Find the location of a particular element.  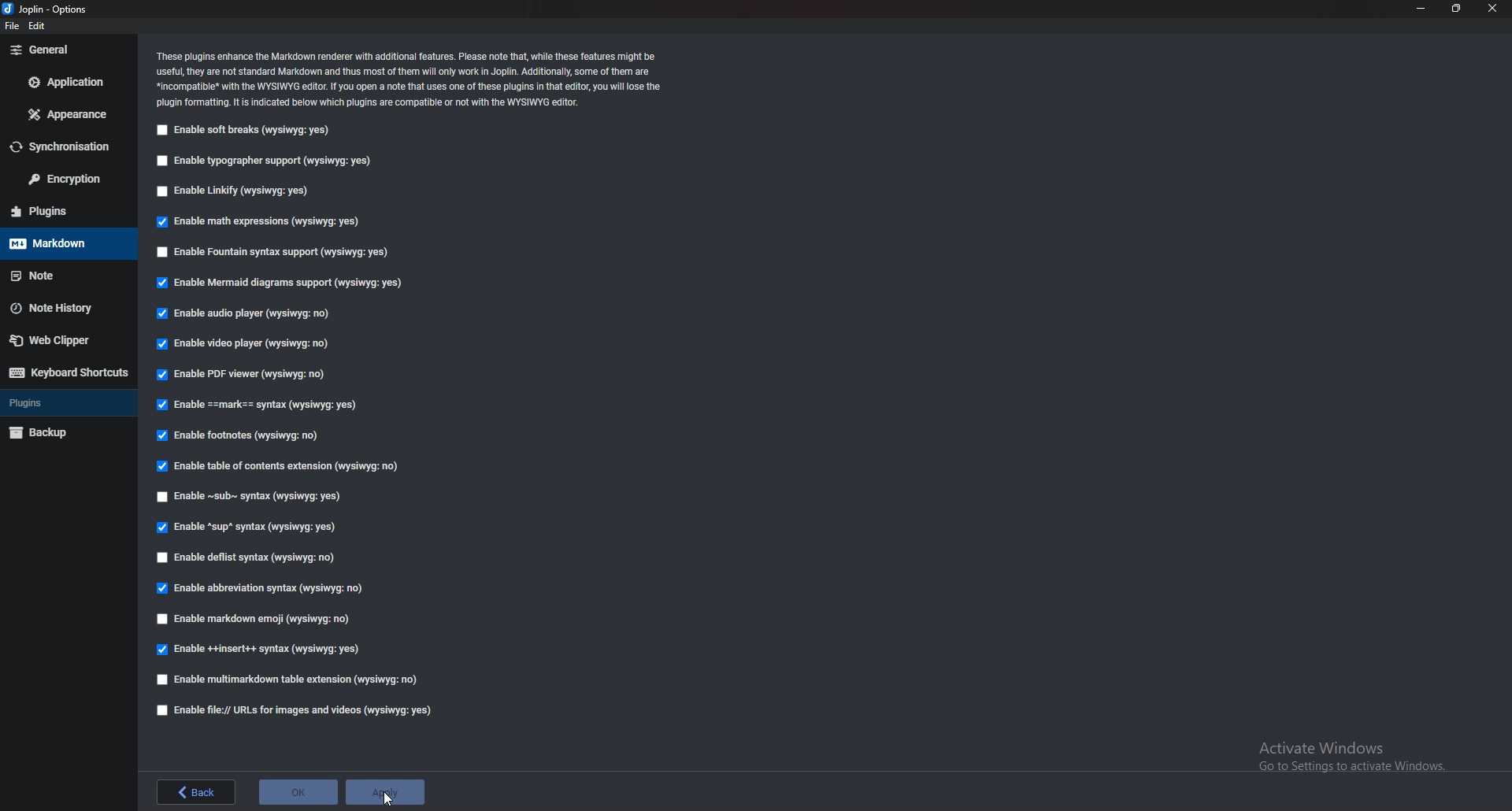

Enable abbreviation syntax is located at coordinates (264, 589).